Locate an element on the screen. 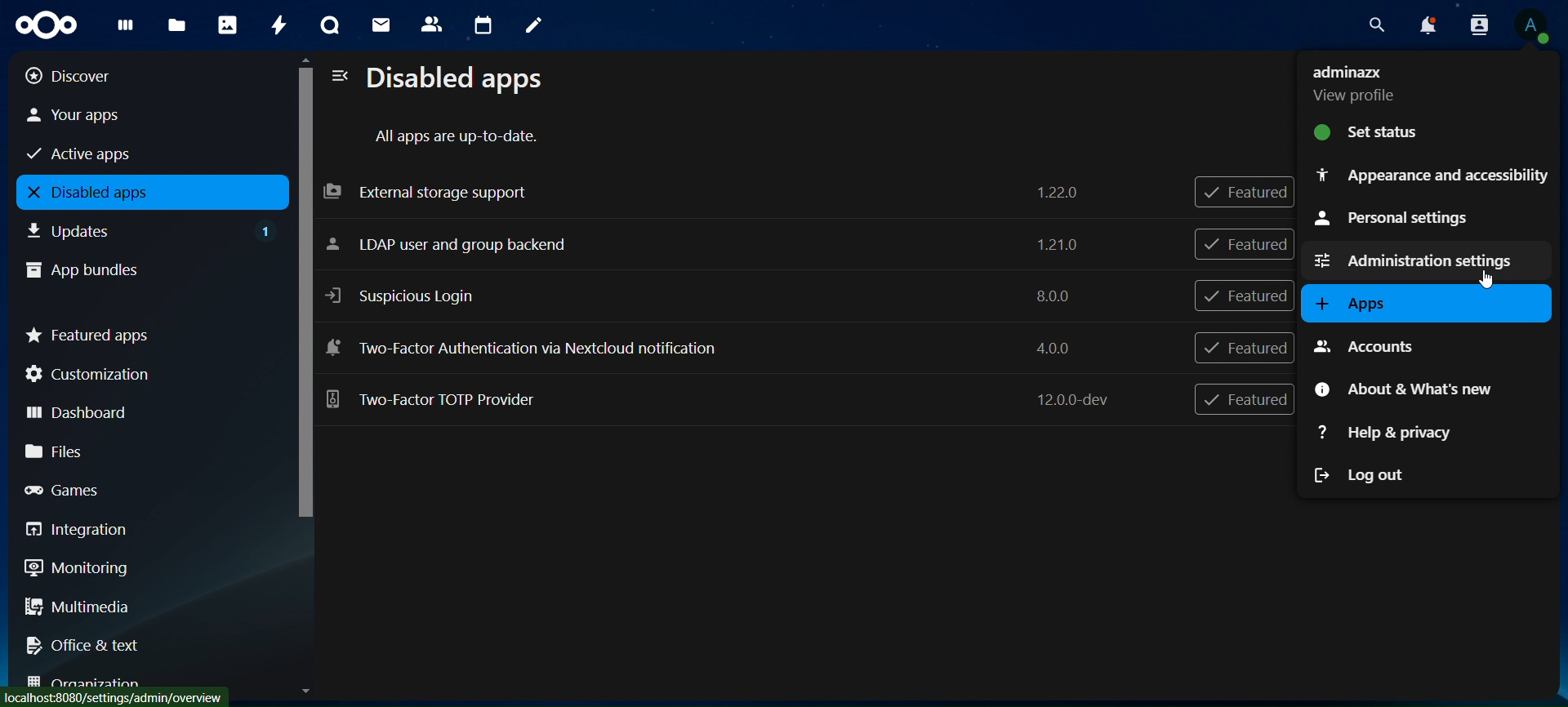 Image resolution: width=1568 pixels, height=707 pixels. all apps are up to date is located at coordinates (460, 137).